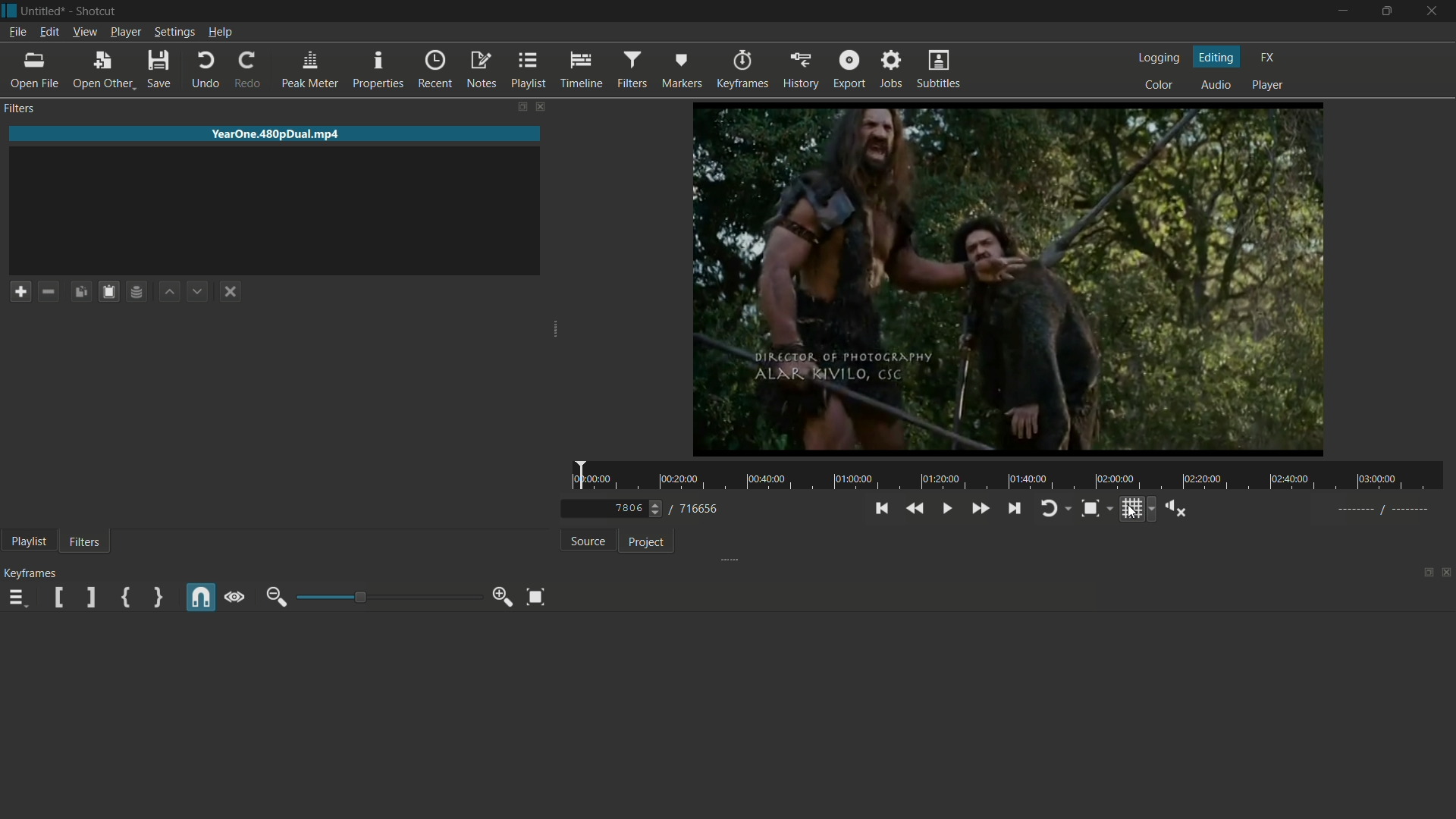 The height and width of the screenshot is (819, 1456). I want to click on filters, so click(19, 108).